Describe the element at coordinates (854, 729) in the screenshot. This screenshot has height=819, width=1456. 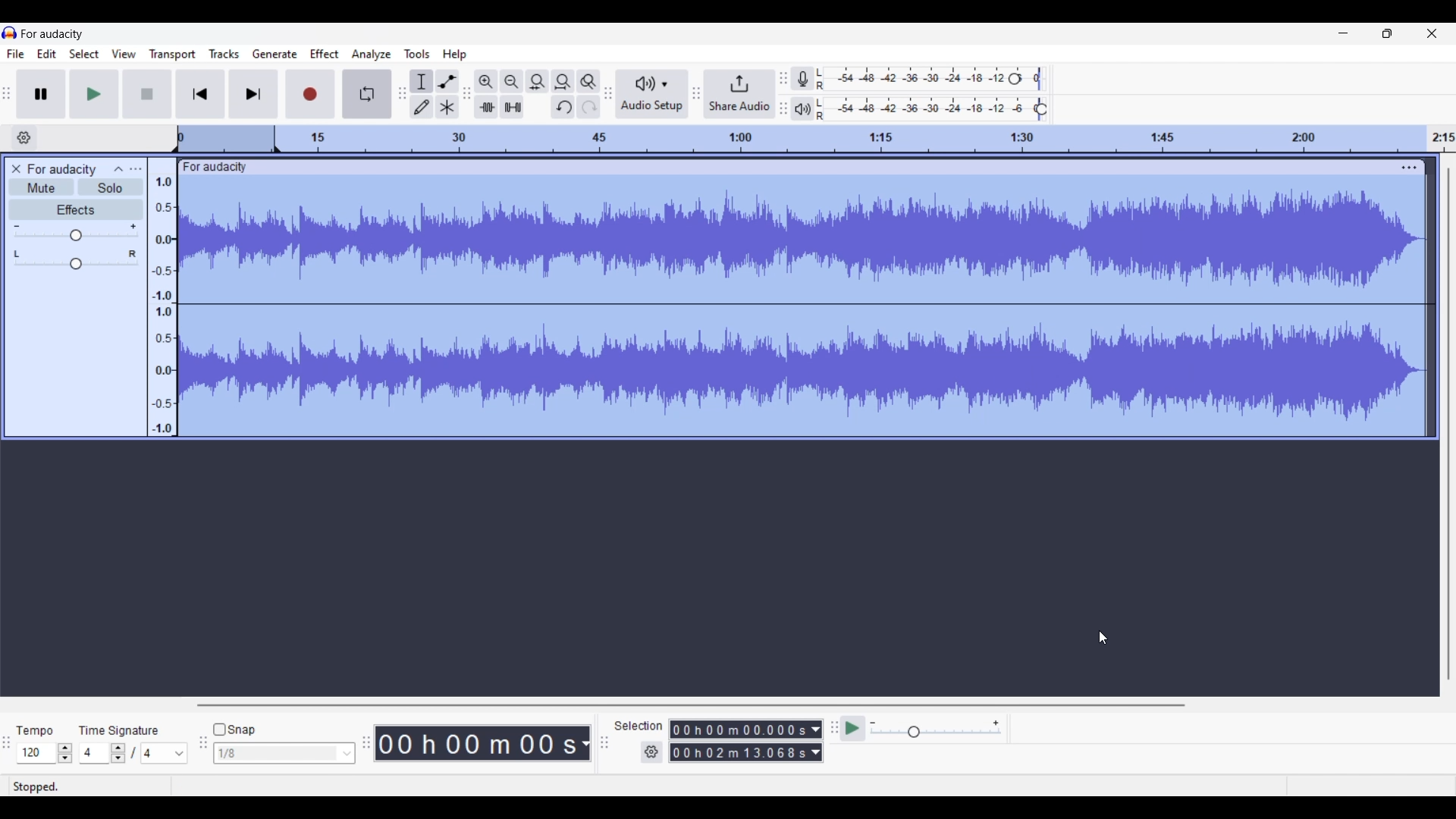
I see `Play-at-speed/Play-at-speed once` at that location.